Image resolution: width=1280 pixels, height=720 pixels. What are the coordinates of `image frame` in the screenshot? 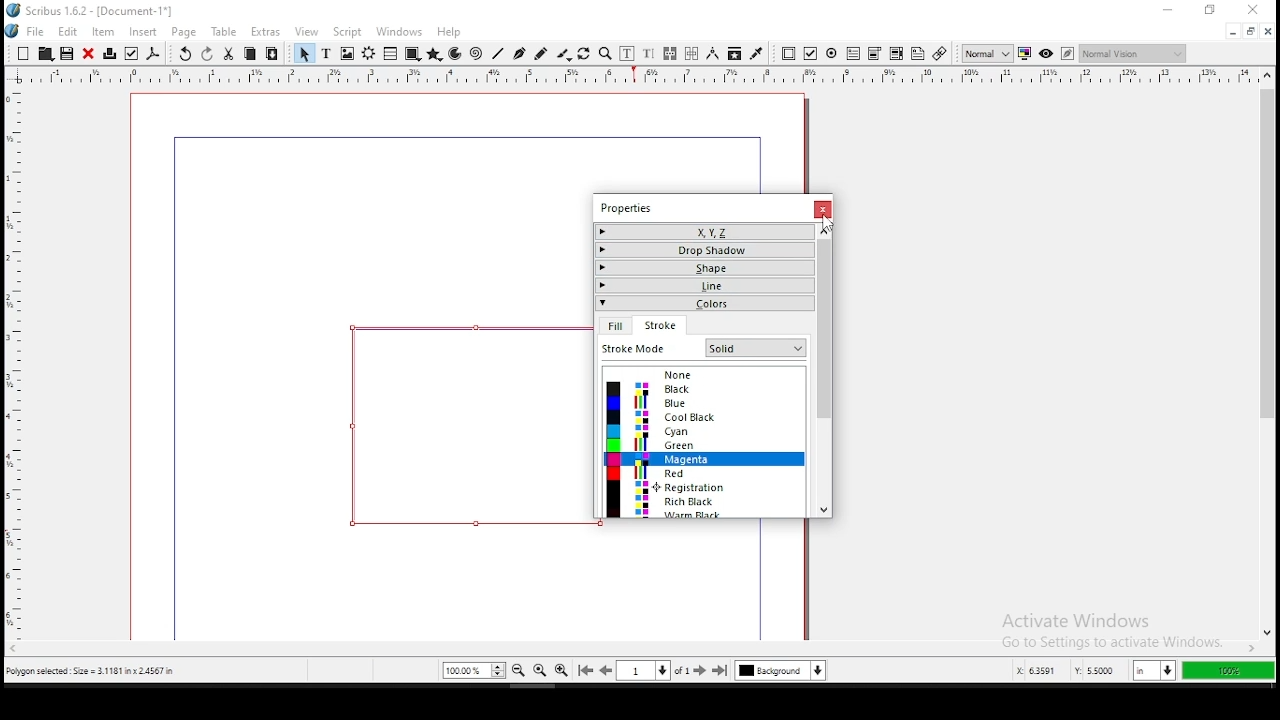 It's located at (347, 53).